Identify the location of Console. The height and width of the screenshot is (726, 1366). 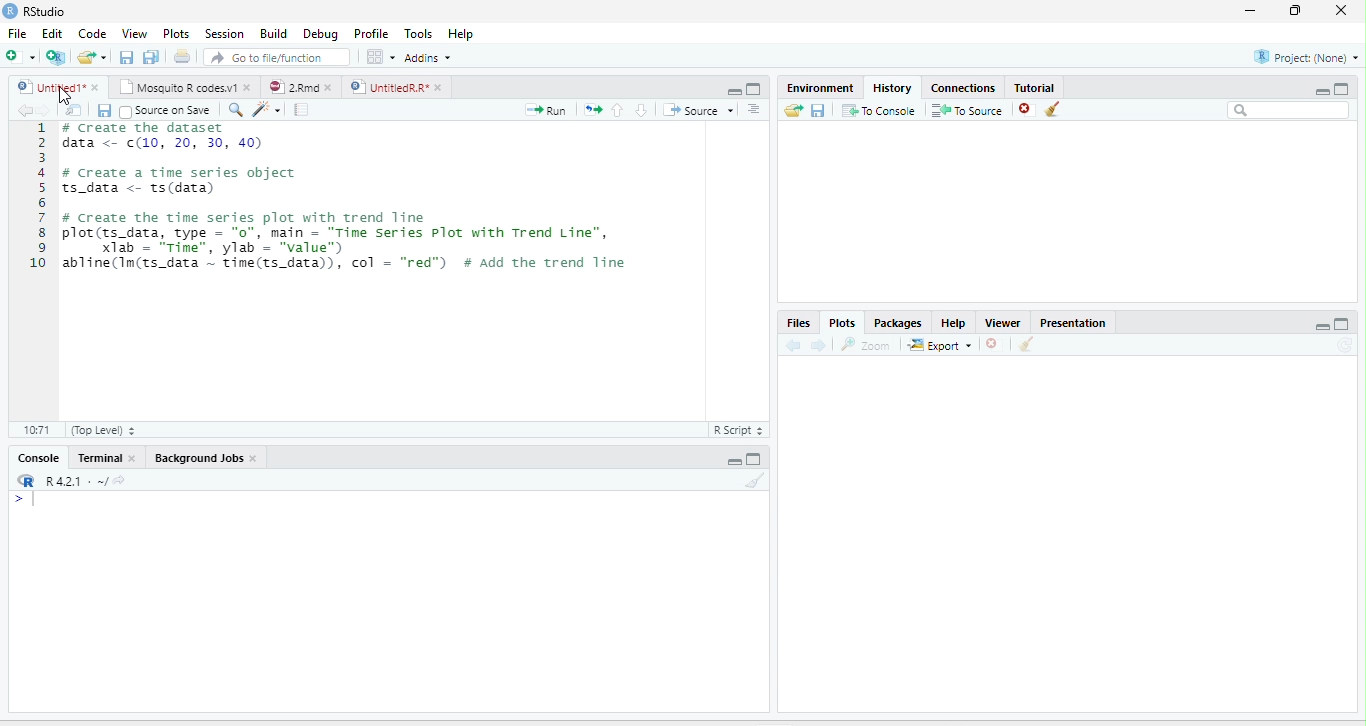
(39, 458).